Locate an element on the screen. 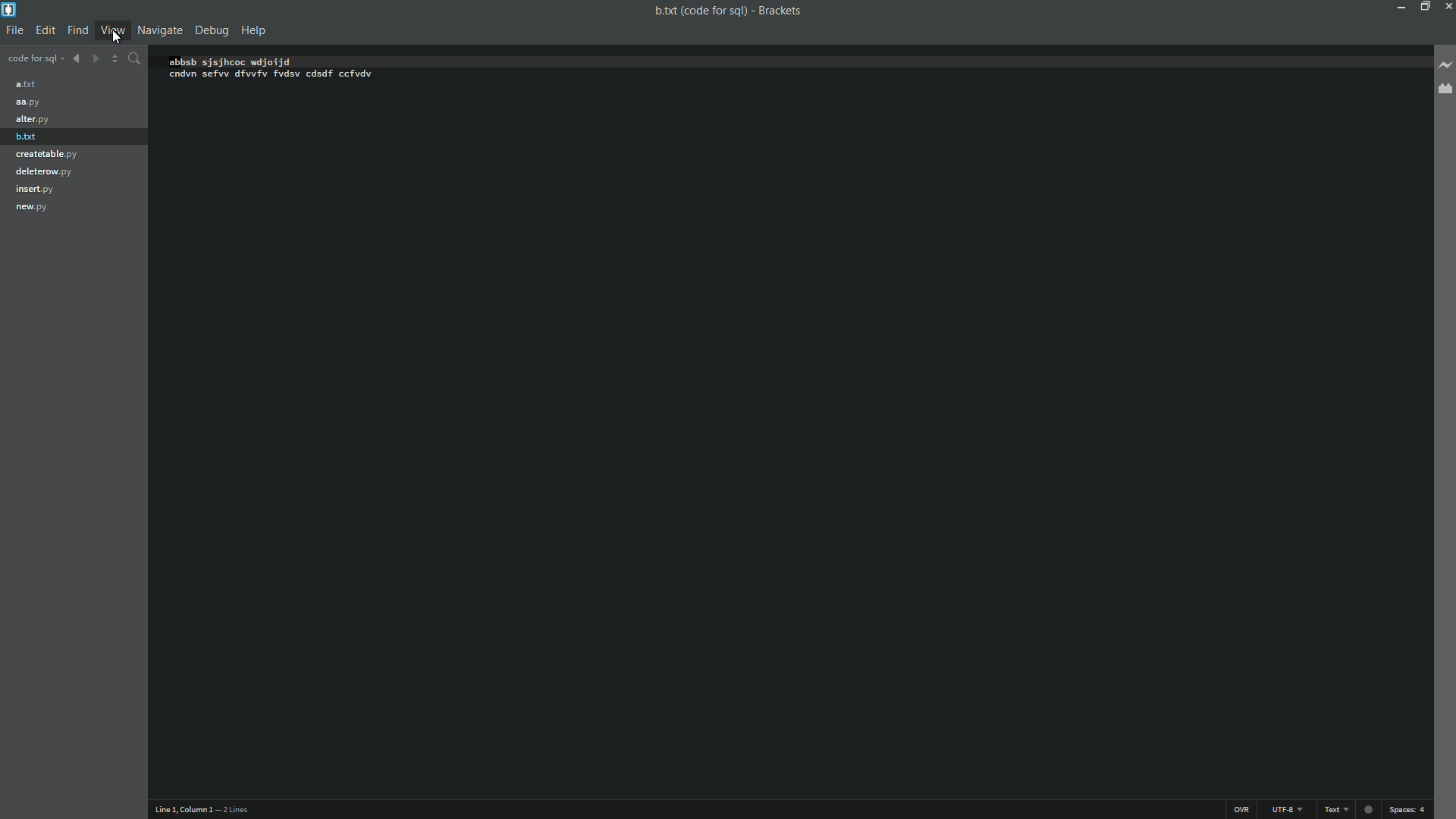  deleterow.py is located at coordinates (48, 171).